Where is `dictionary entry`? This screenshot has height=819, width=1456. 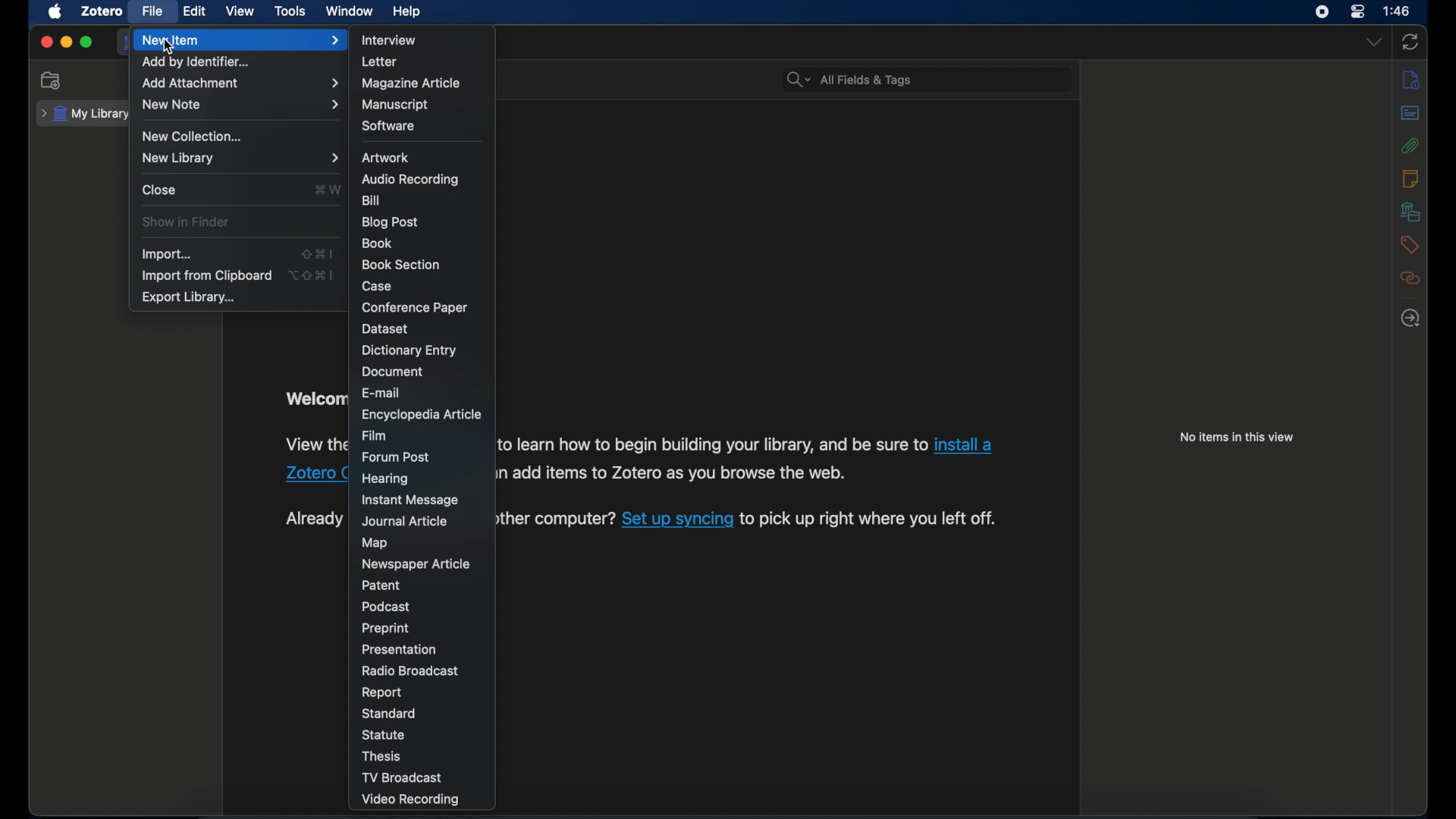
dictionary entry is located at coordinates (409, 350).